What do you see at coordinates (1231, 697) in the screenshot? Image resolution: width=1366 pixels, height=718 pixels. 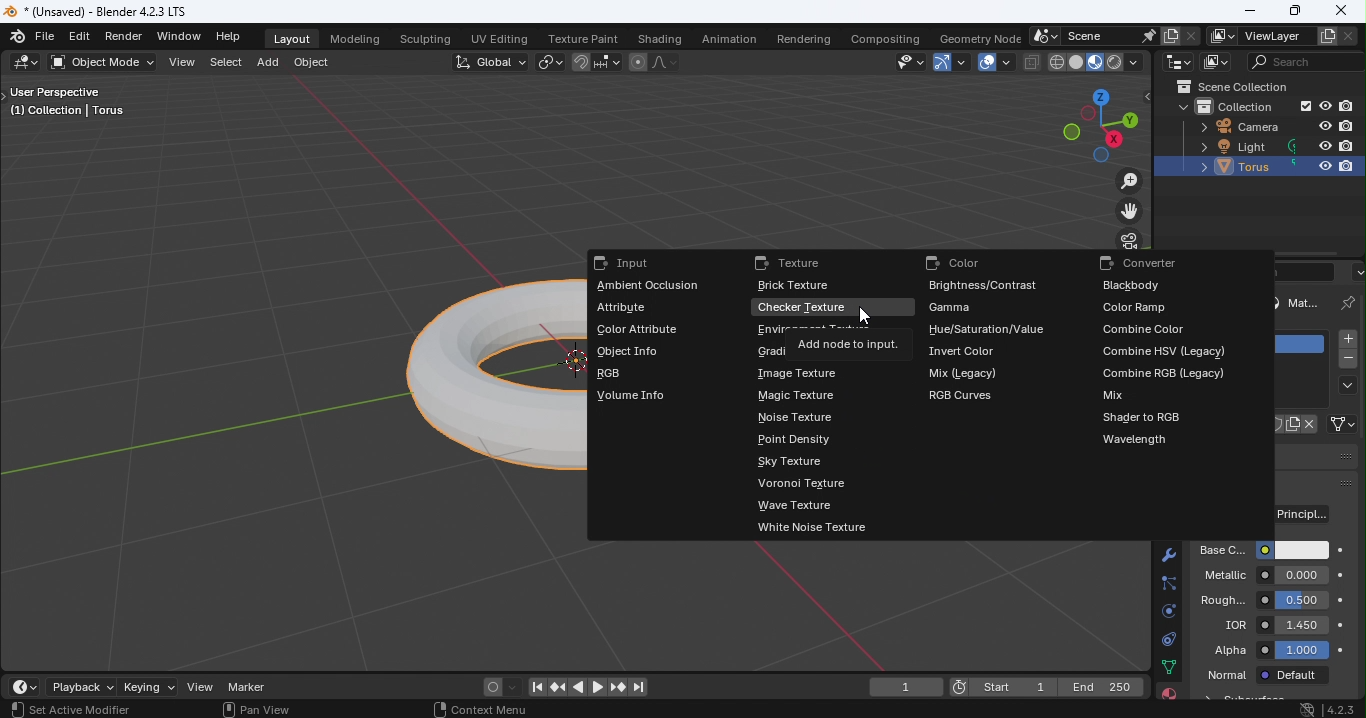 I see `Material` at bounding box center [1231, 697].